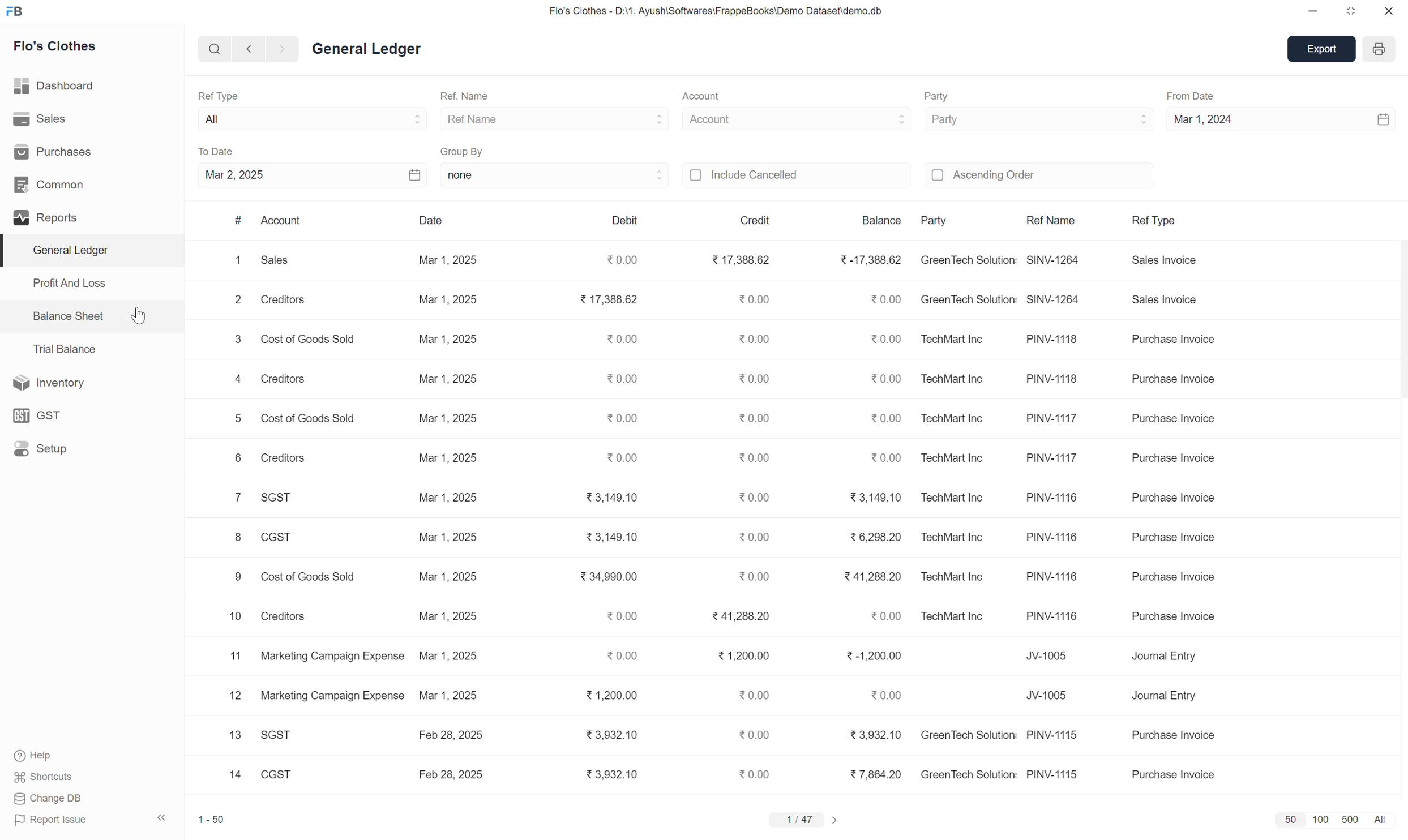 The height and width of the screenshot is (840, 1408). I want to click on Green tech solution, so click(969, 774).